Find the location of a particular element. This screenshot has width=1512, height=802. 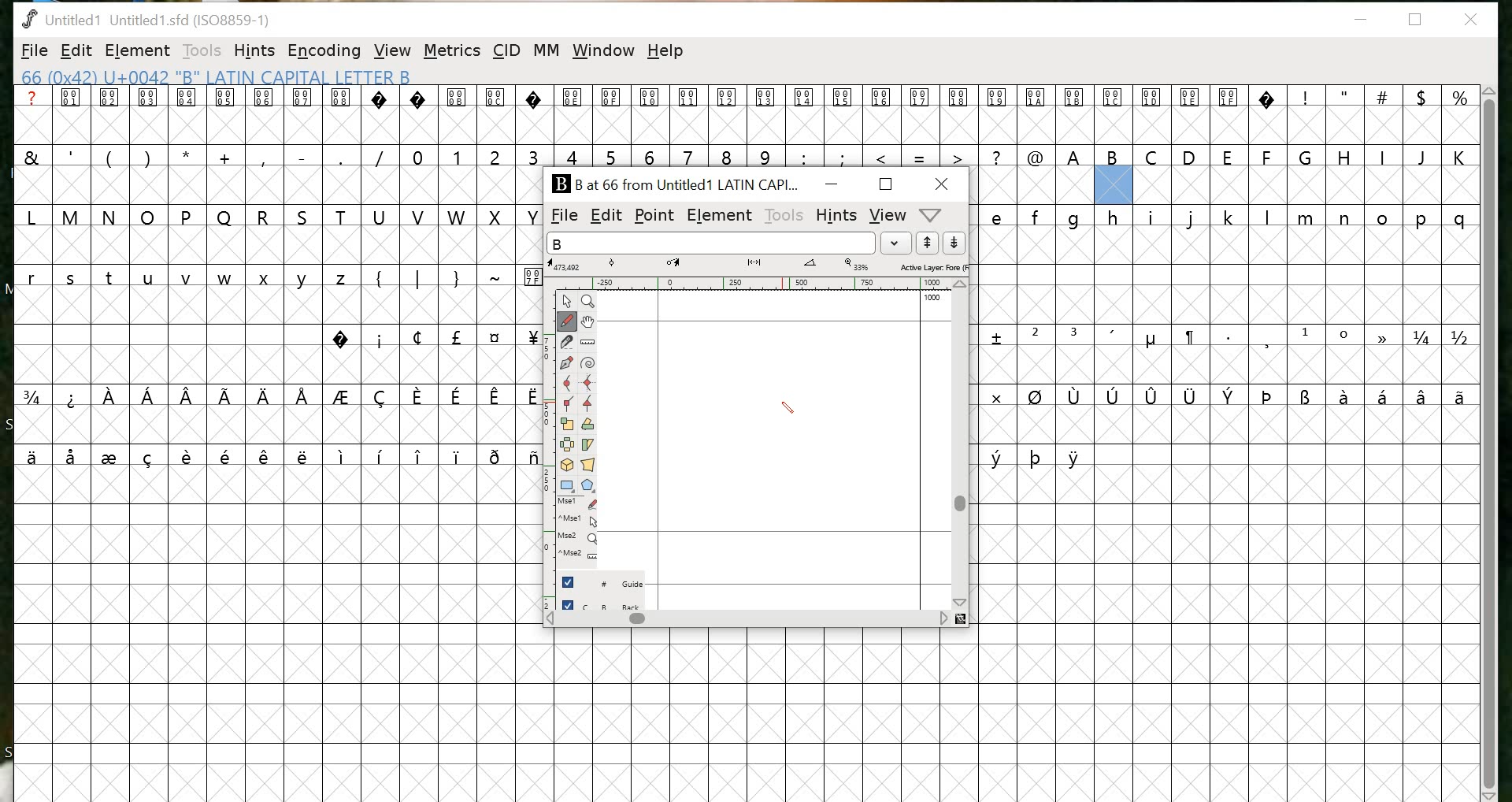

EDIT is located at coordinates (76, 50).